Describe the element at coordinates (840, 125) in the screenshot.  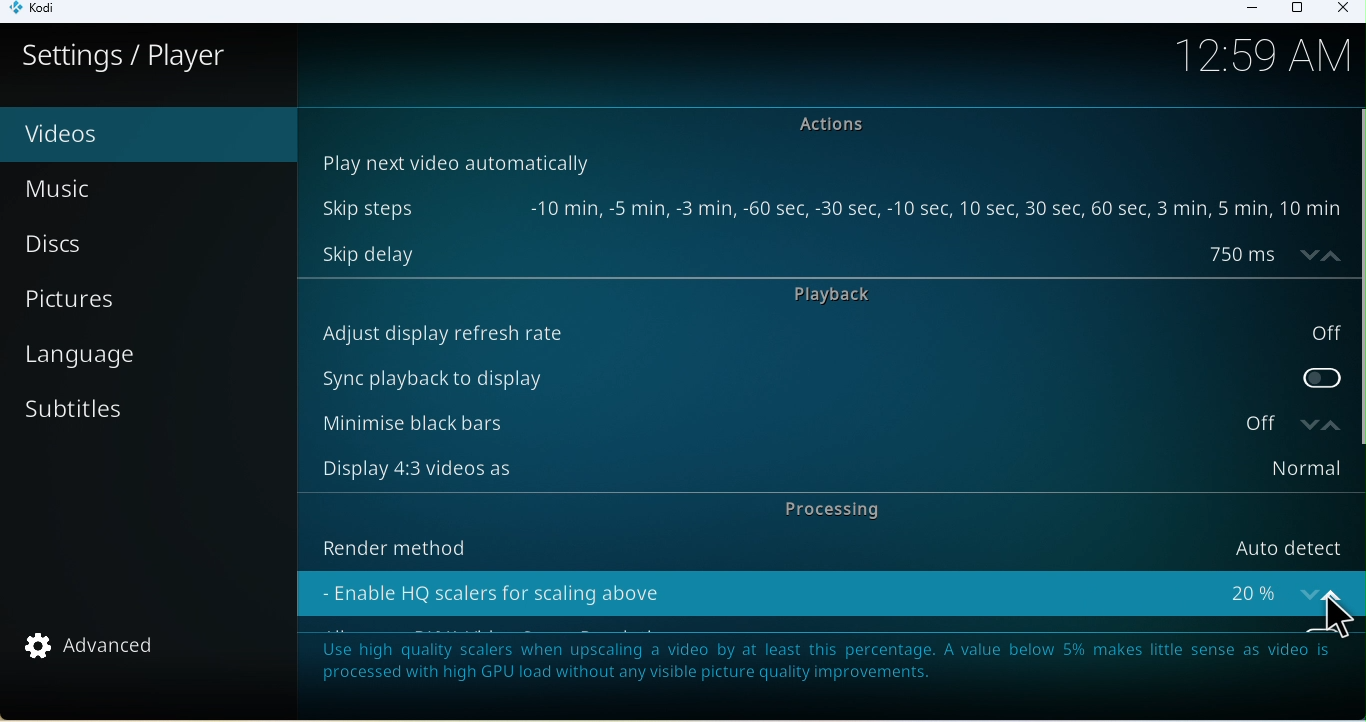
I see `actions` at that location.